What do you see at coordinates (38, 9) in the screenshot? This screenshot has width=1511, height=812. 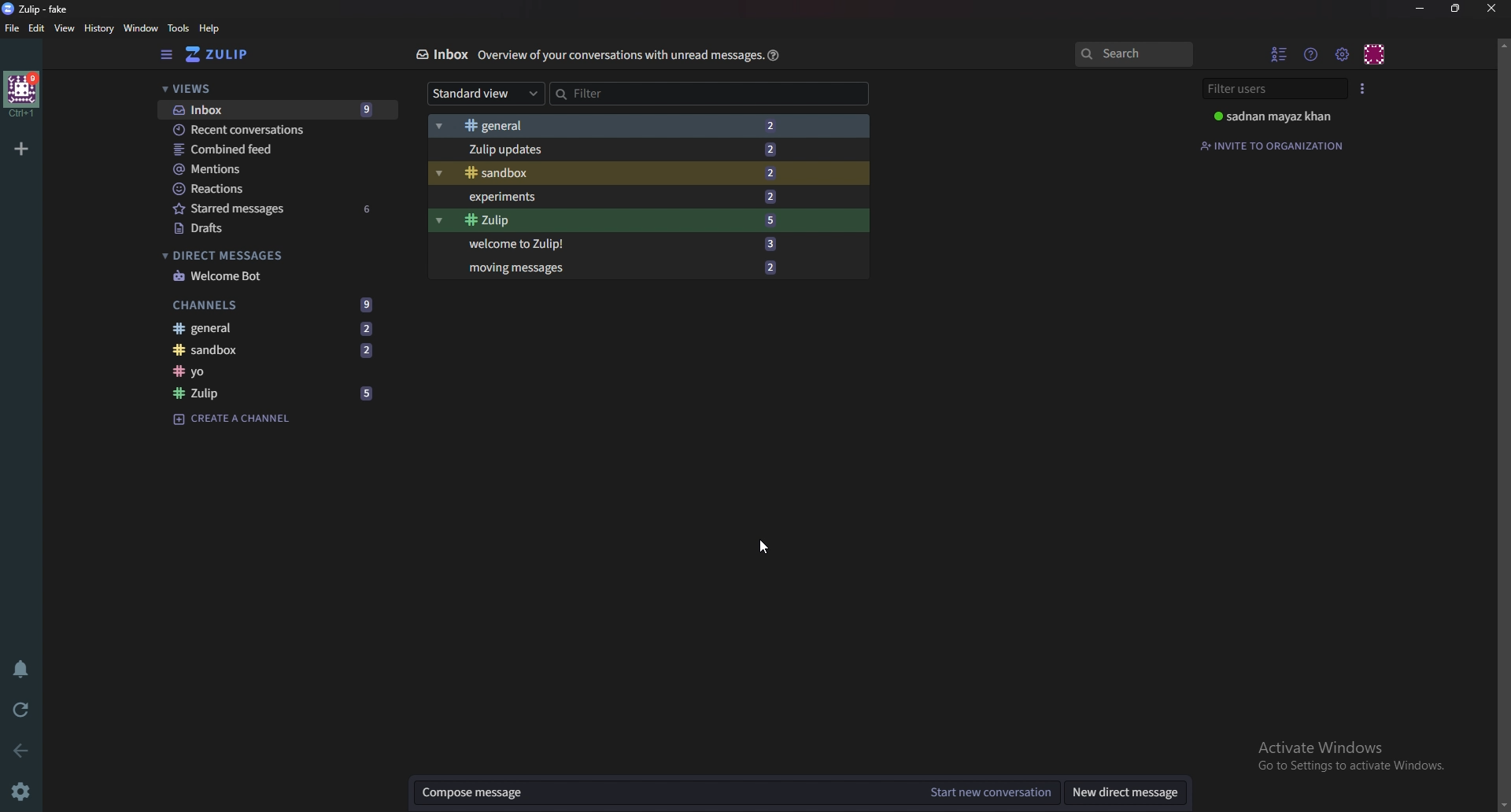 I see `Zulip - fake` at bounding box center [38, 9].